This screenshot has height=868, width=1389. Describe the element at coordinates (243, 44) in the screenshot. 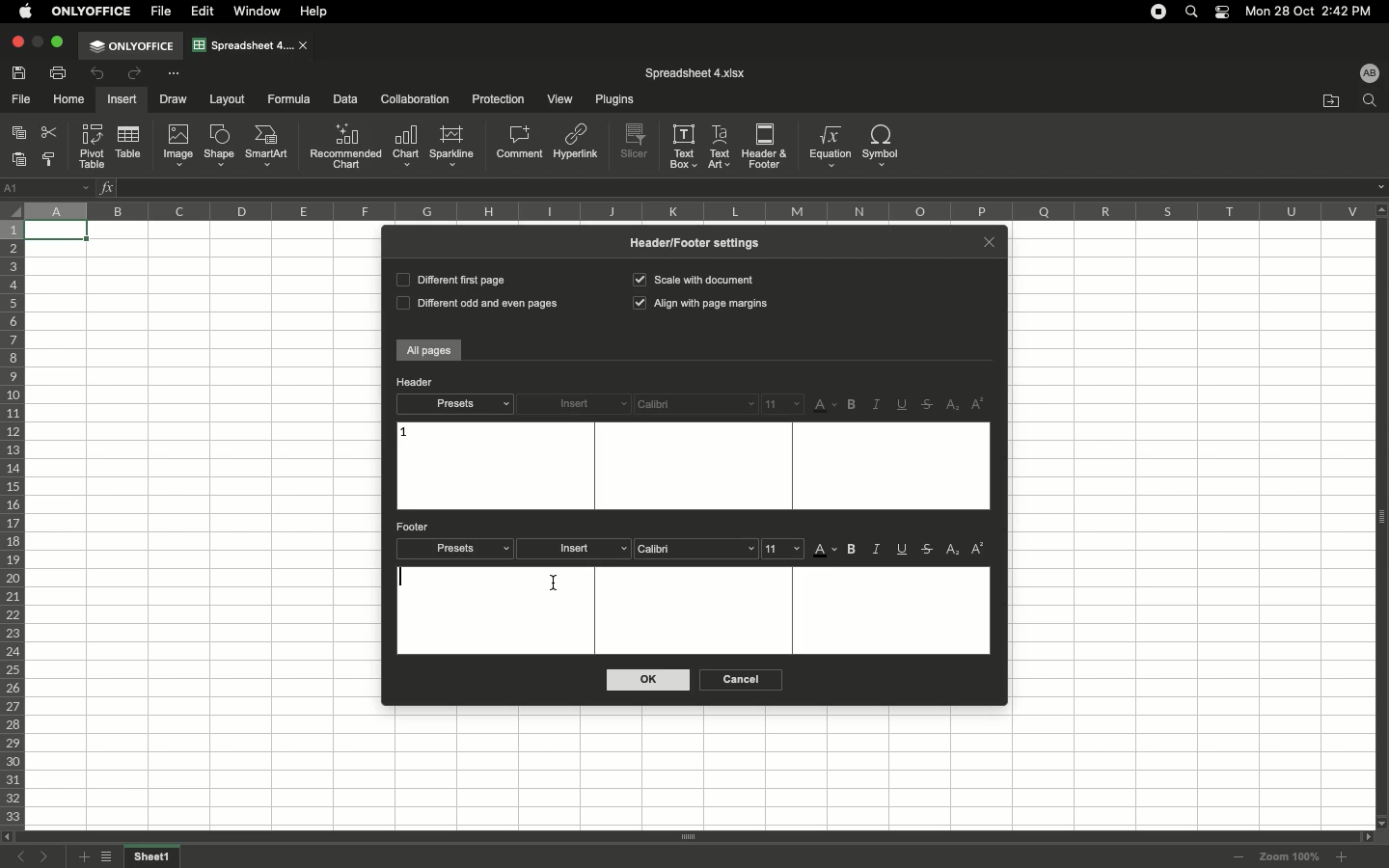

I see `Spreadsheet tab` at that location.